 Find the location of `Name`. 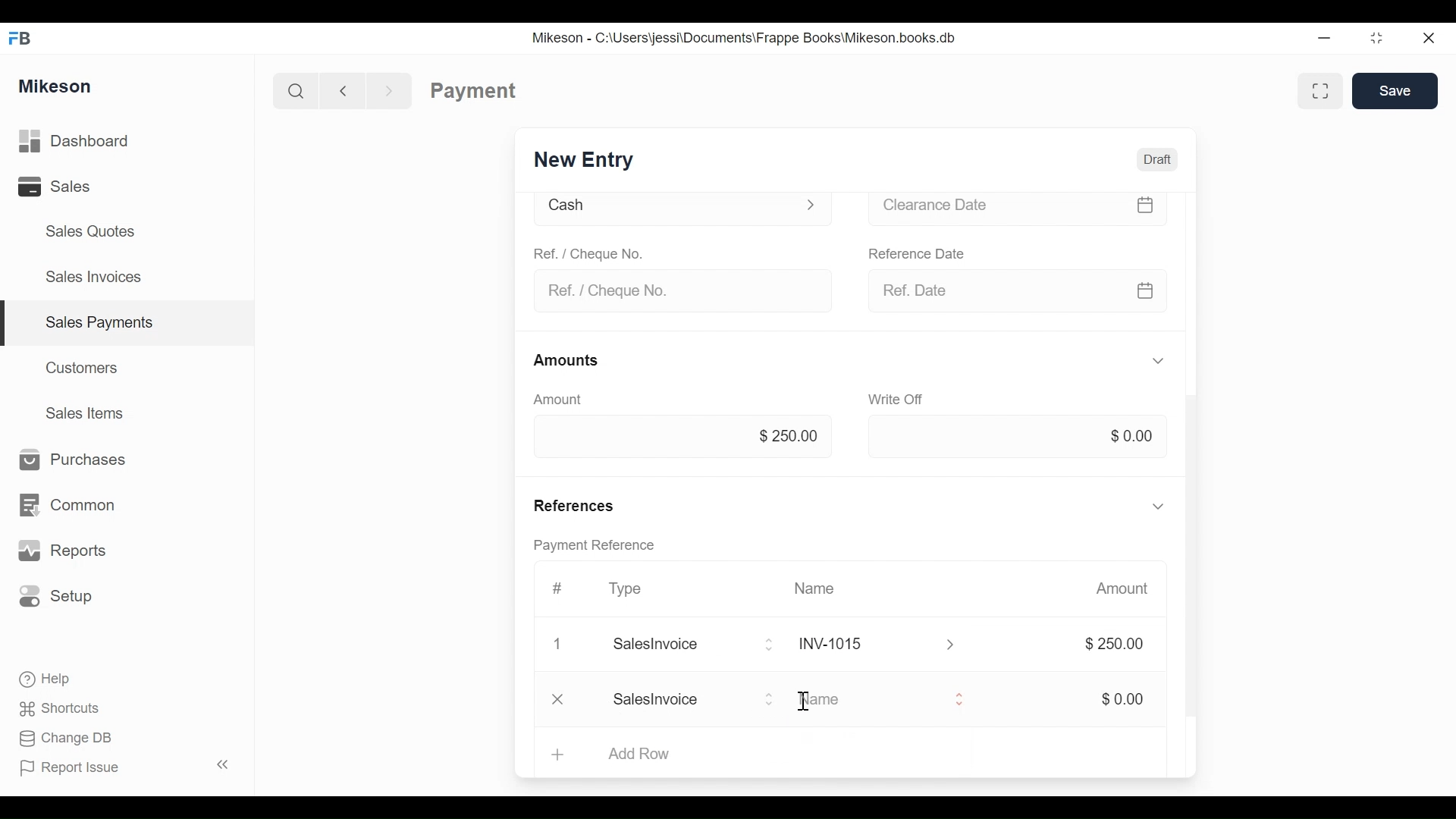

Name is located at coordinates (876, 698).